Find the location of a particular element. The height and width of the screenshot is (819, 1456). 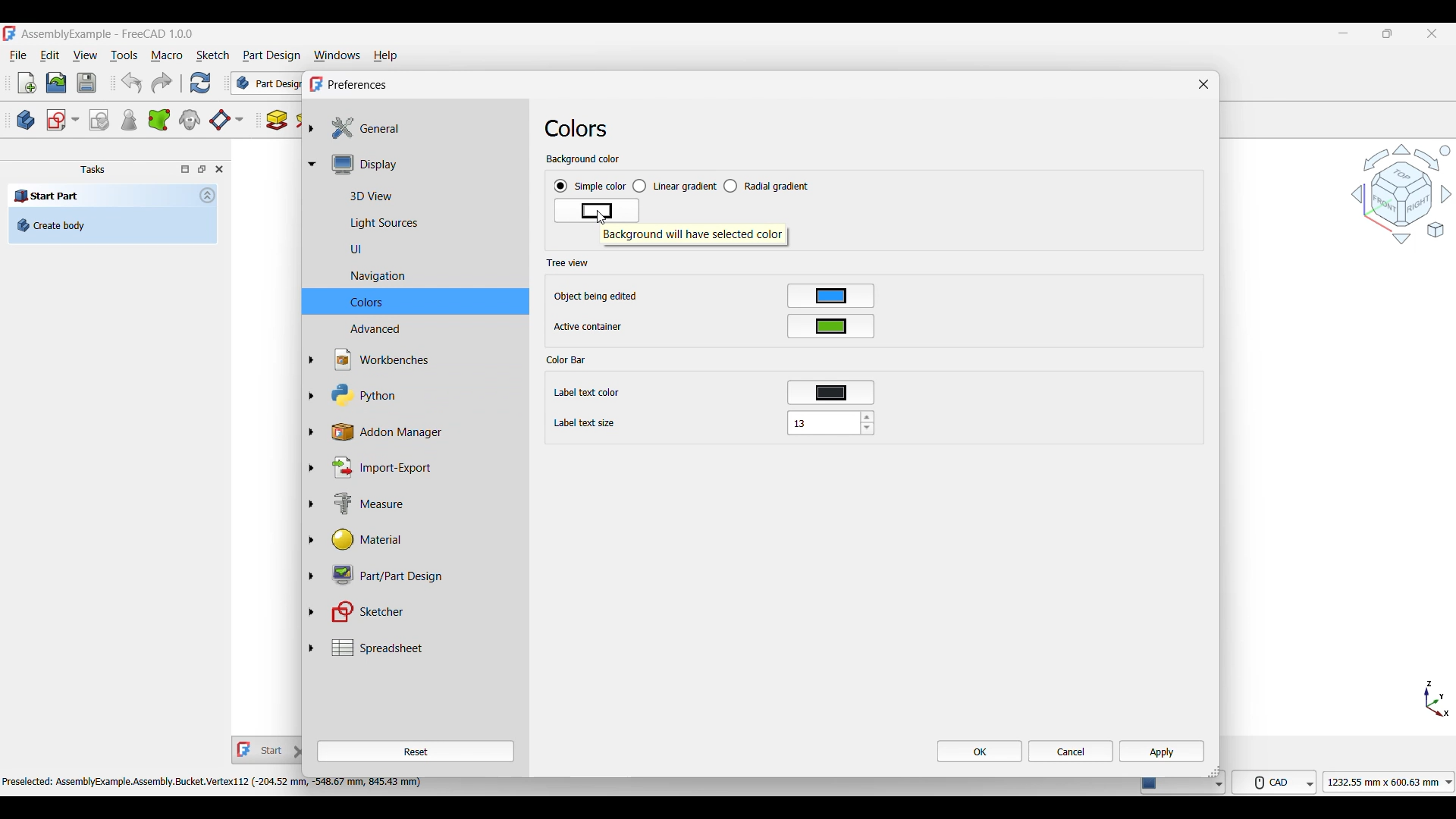

Show in smaller tab is located at coordinates (1388, 33).